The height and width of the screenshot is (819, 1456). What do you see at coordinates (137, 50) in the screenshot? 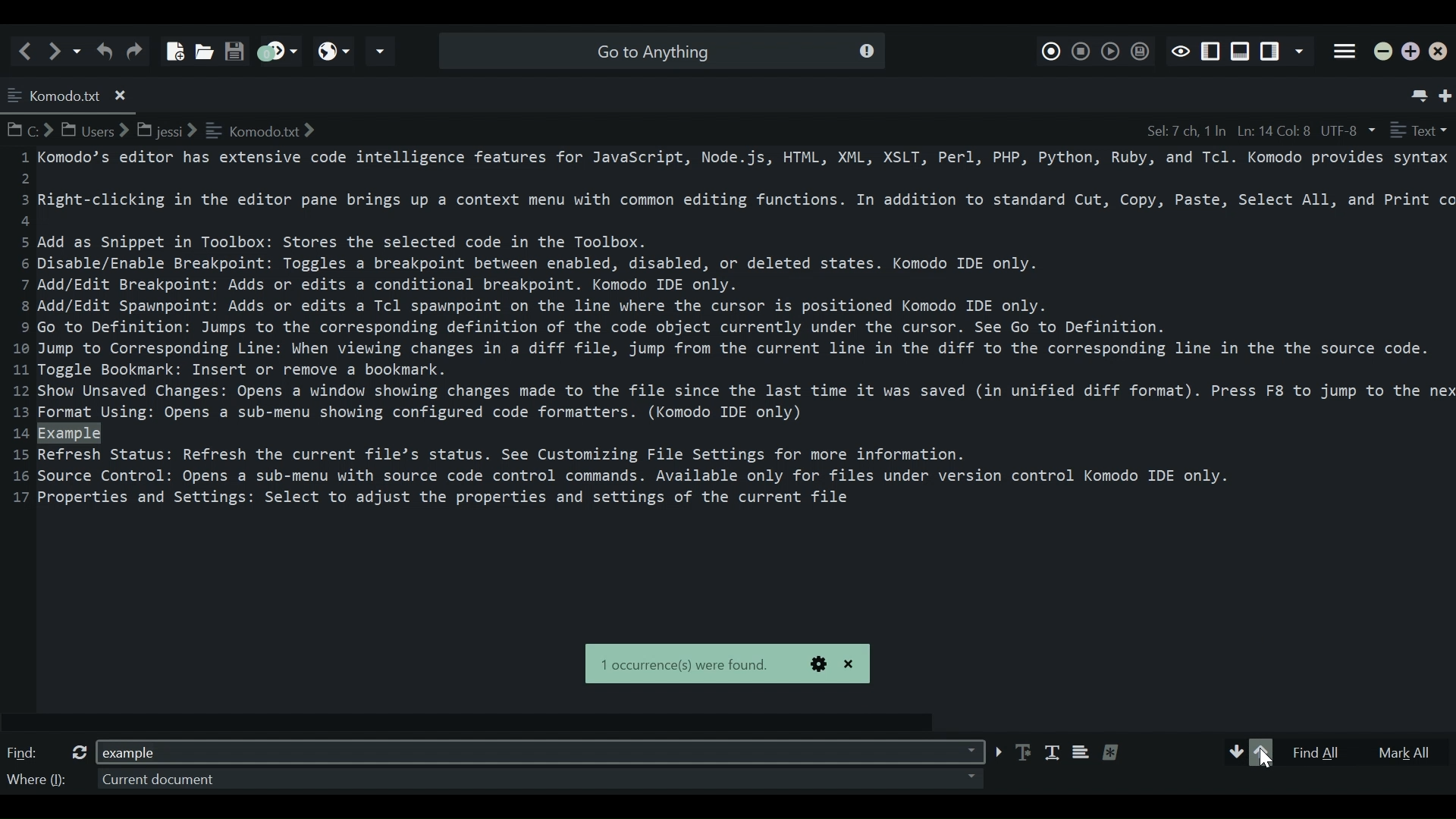
I see `Redo` at bounding box center [137, 50].